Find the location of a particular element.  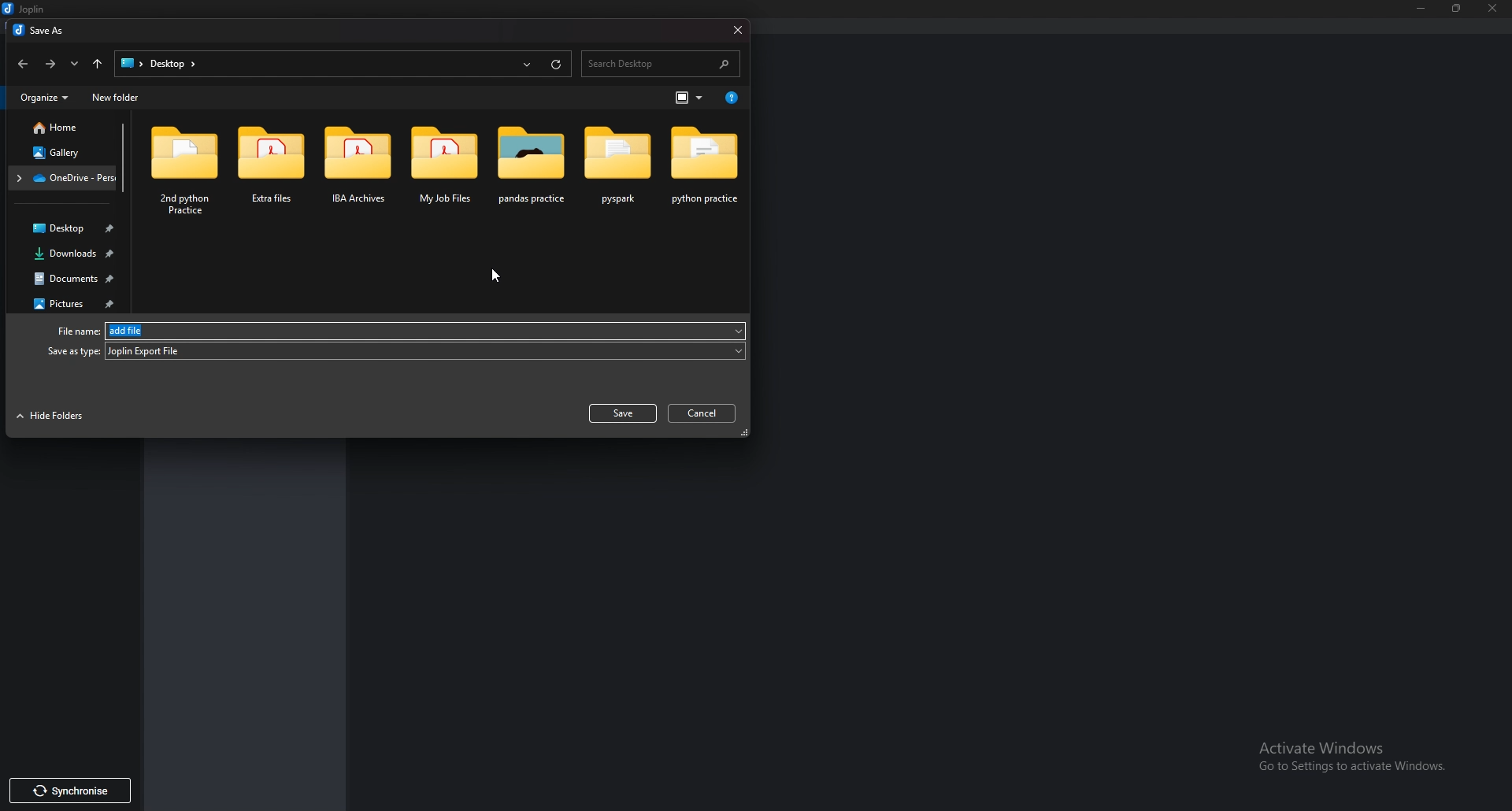

Folder is located at coordinates (63, 178).